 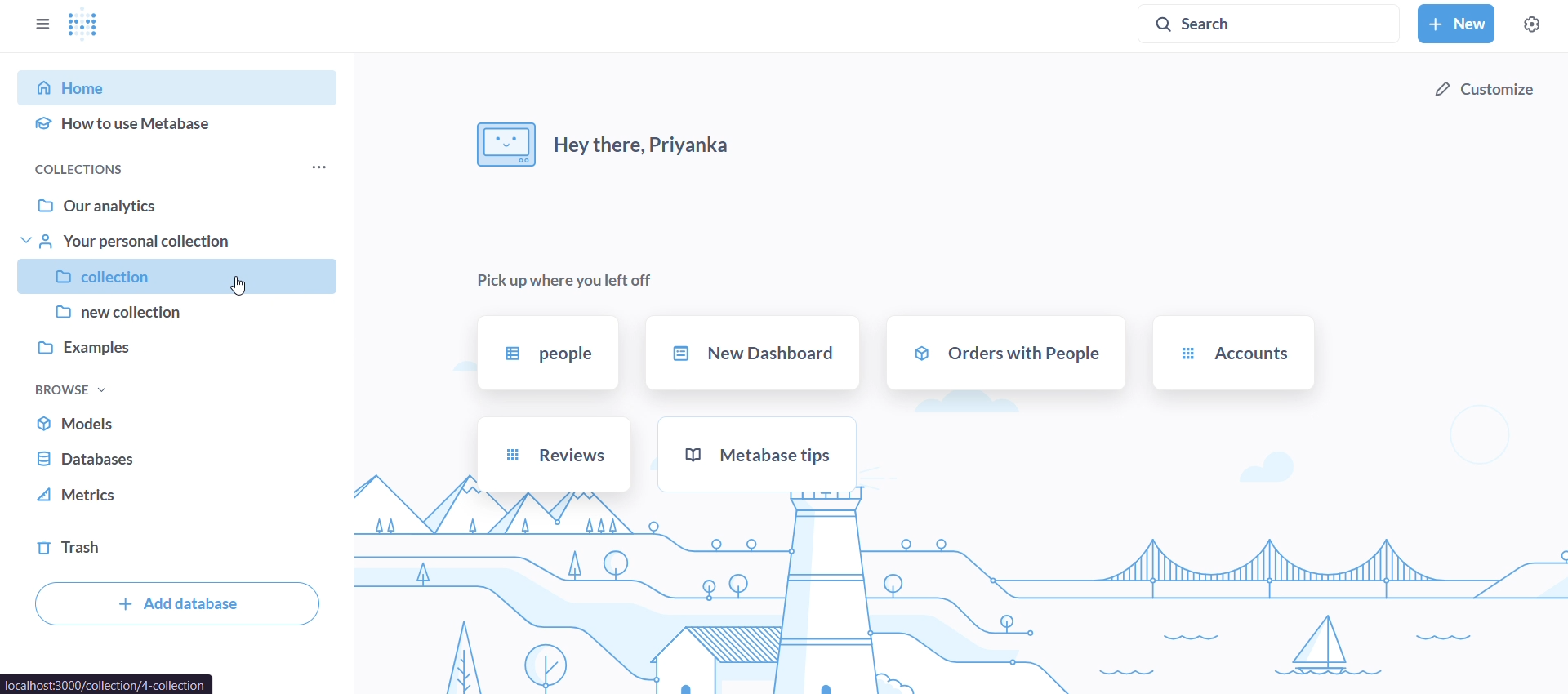 What do you see at coordinates (315, 170) in the screenshot?
I see `more` at bounding box center [315, 170].